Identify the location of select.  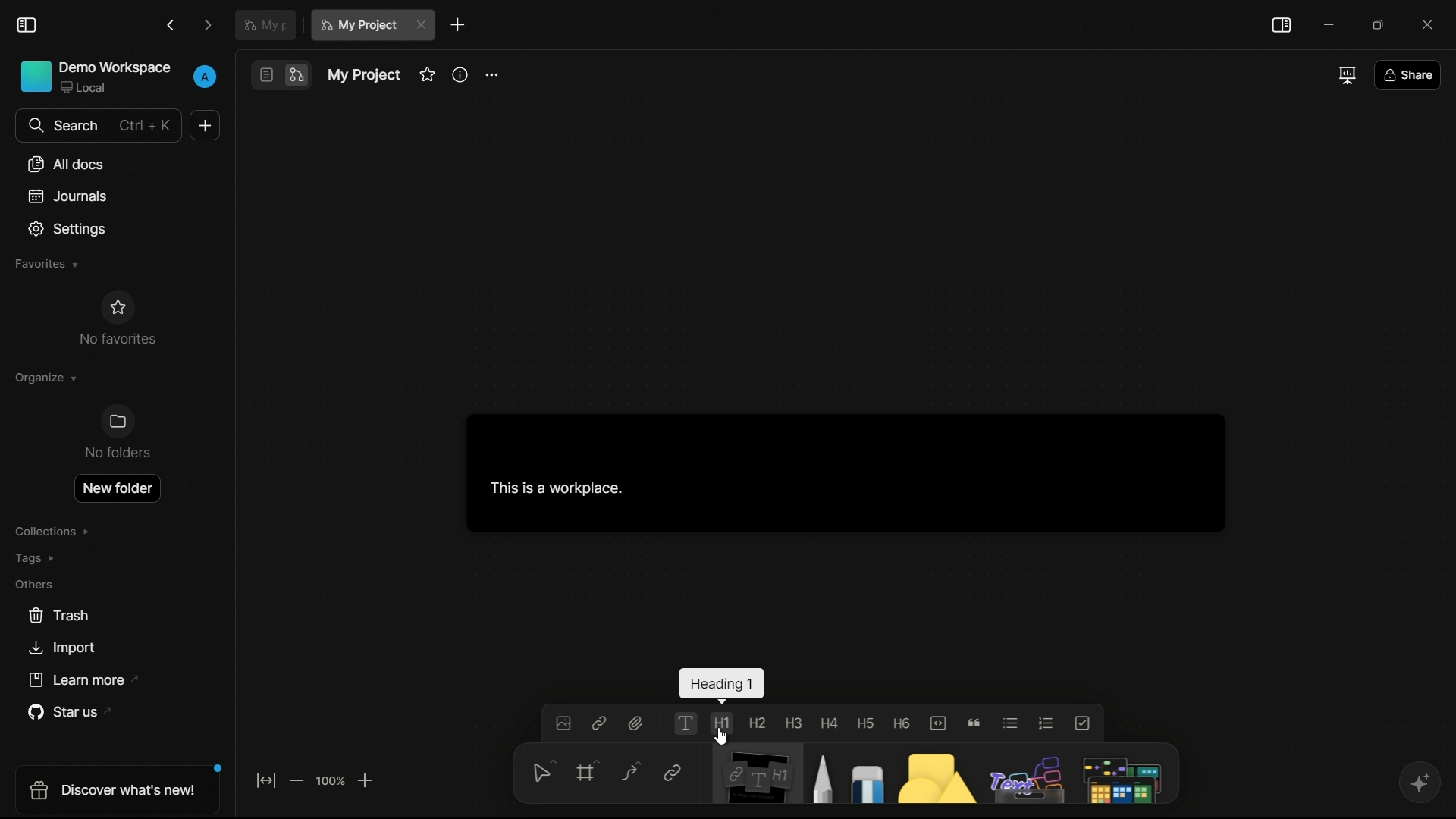
(539, 776).